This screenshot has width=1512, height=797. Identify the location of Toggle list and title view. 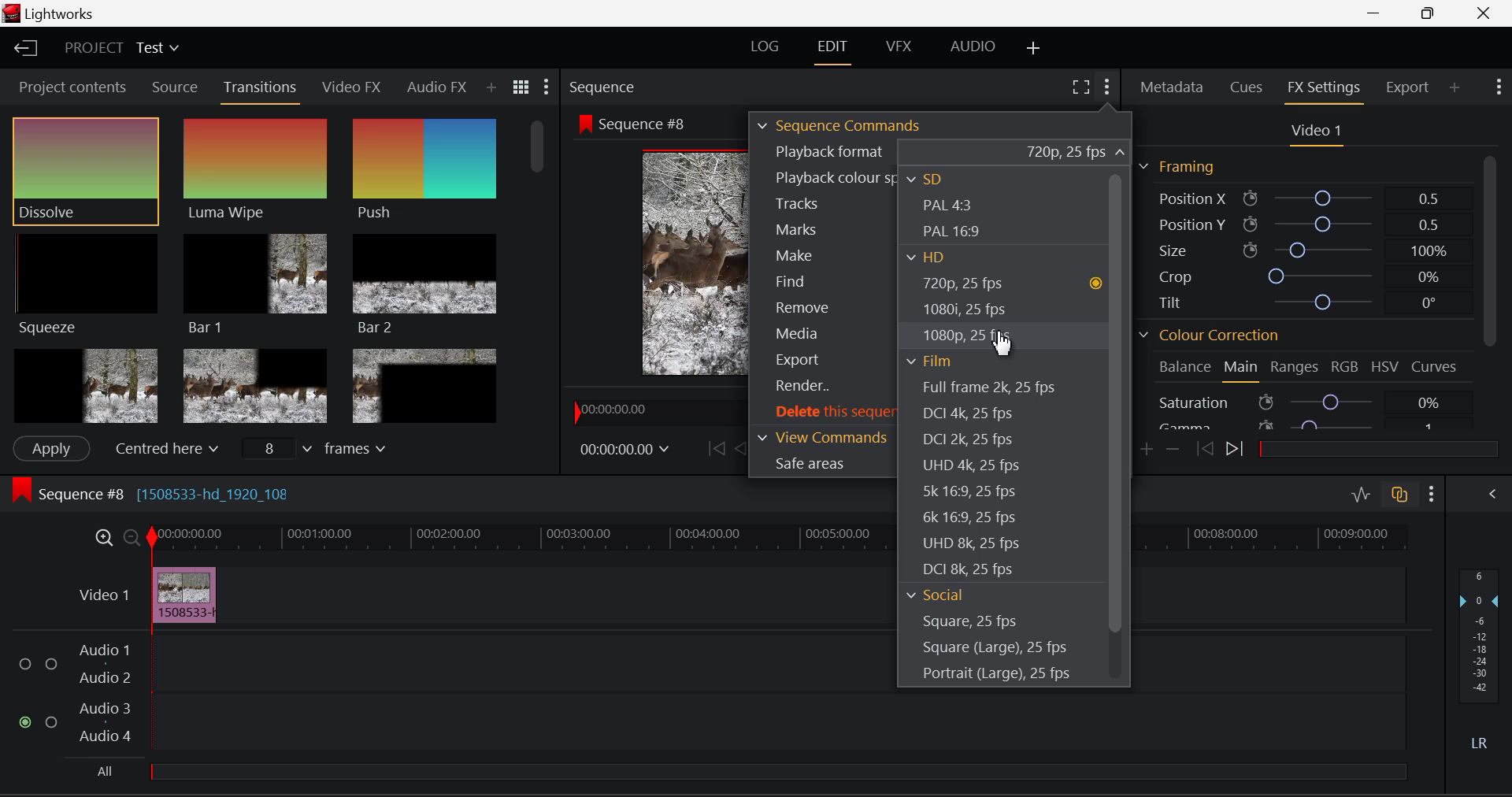
(521, 86).